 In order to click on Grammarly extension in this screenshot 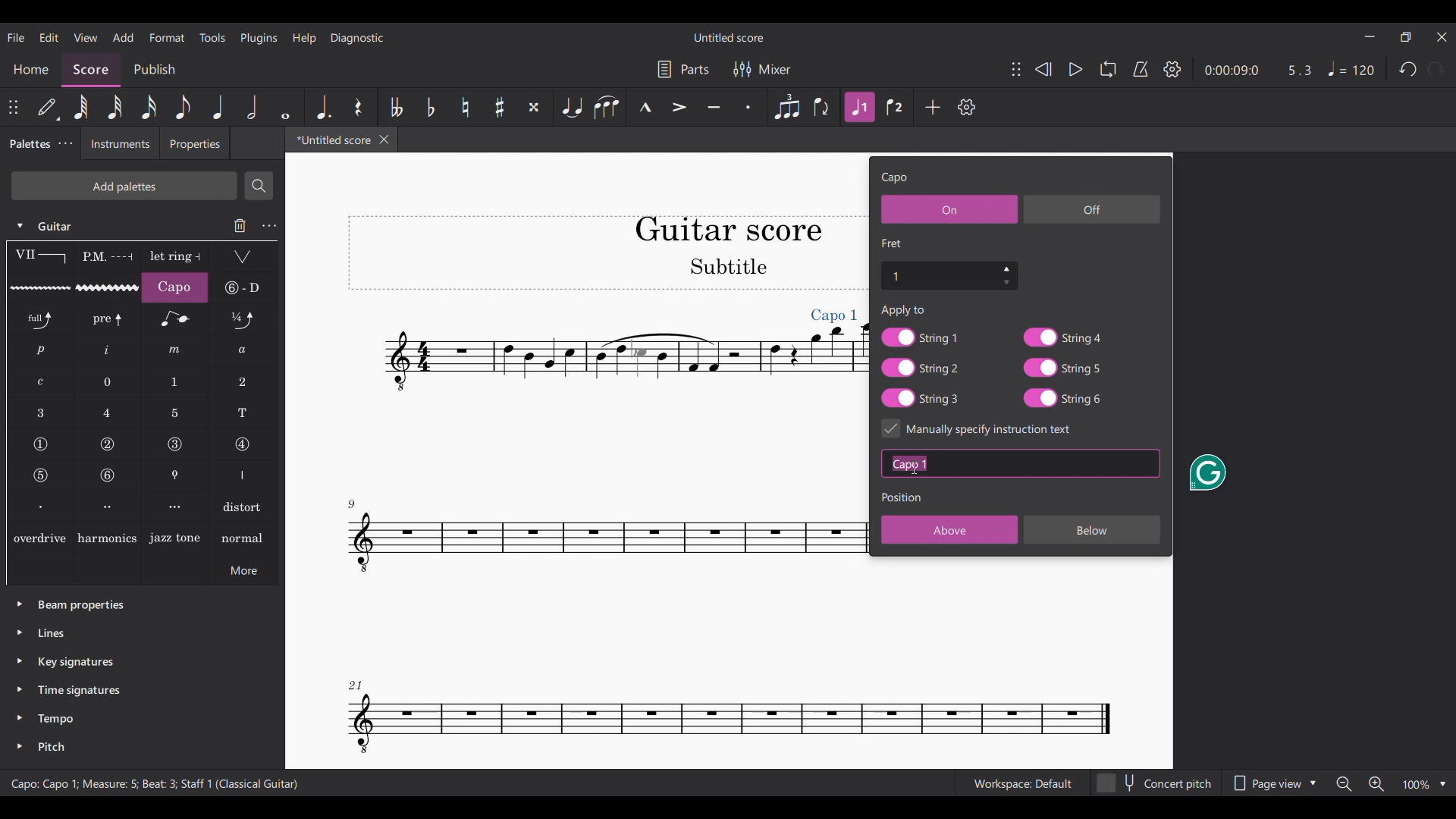, I will do `click(1207, 472)`.